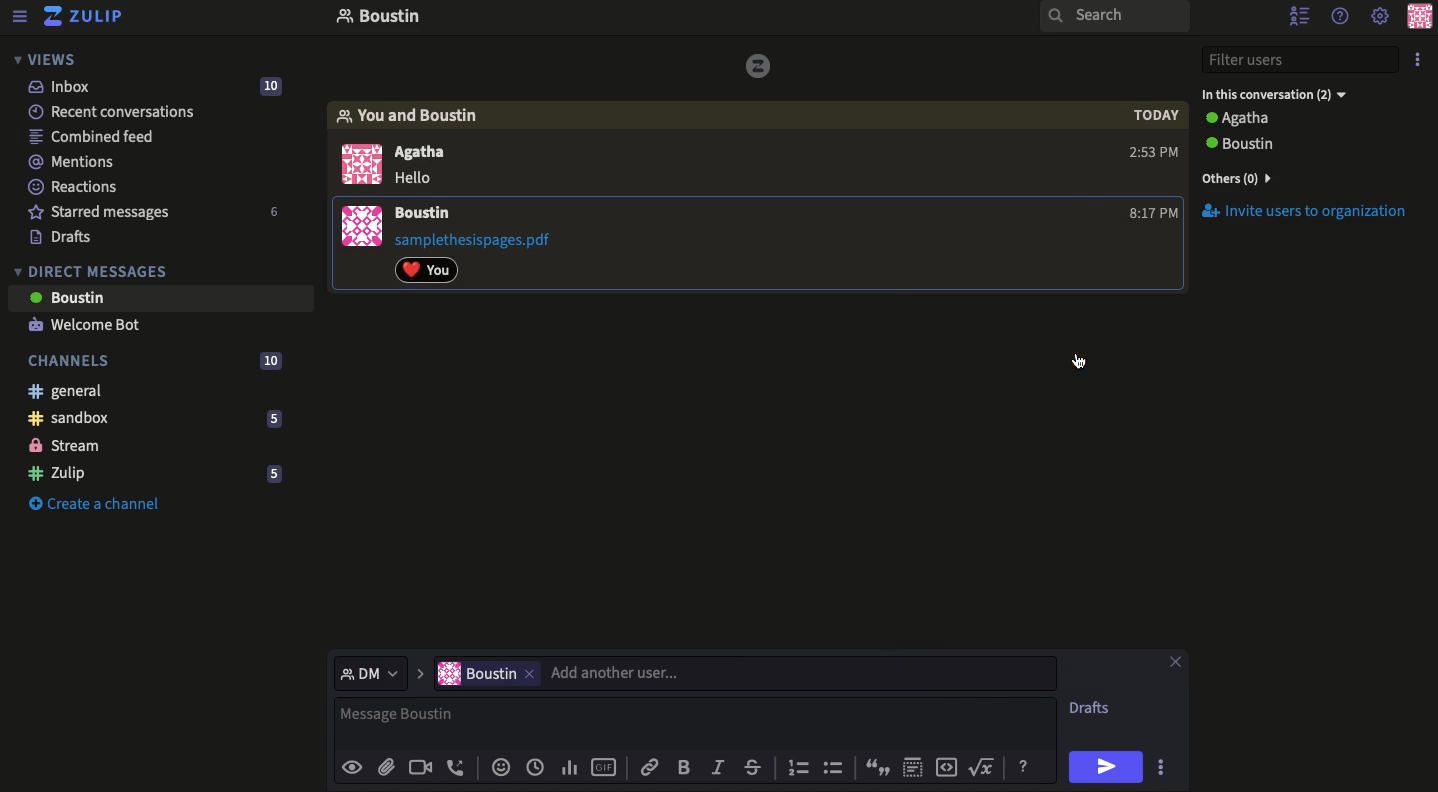 This screenshot has height=792, width=1438. I want to click on image, so click(761, 66).